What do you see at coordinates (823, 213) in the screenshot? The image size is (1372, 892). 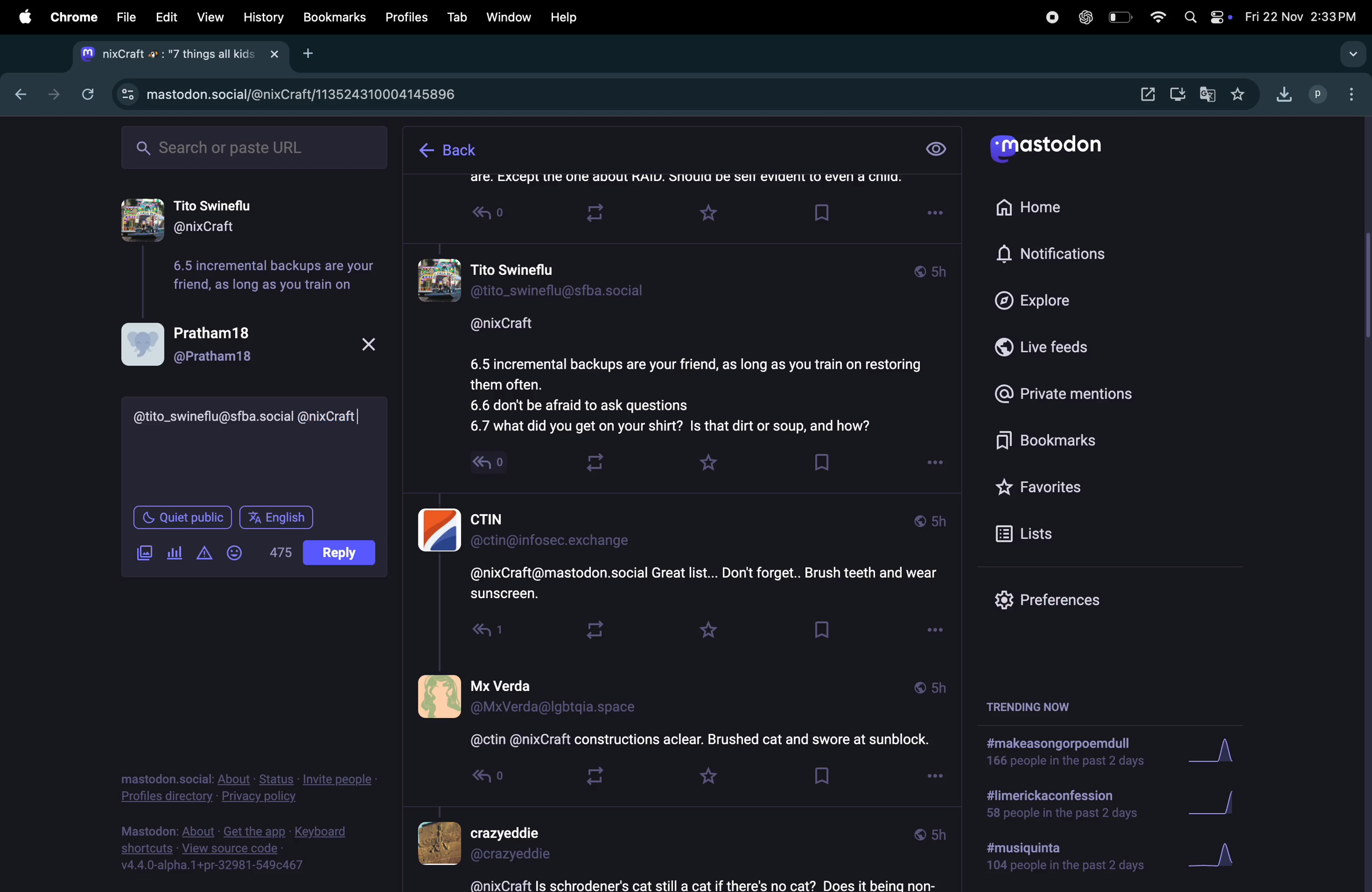 I see `Bookmark` at bounding box center [823, 213].